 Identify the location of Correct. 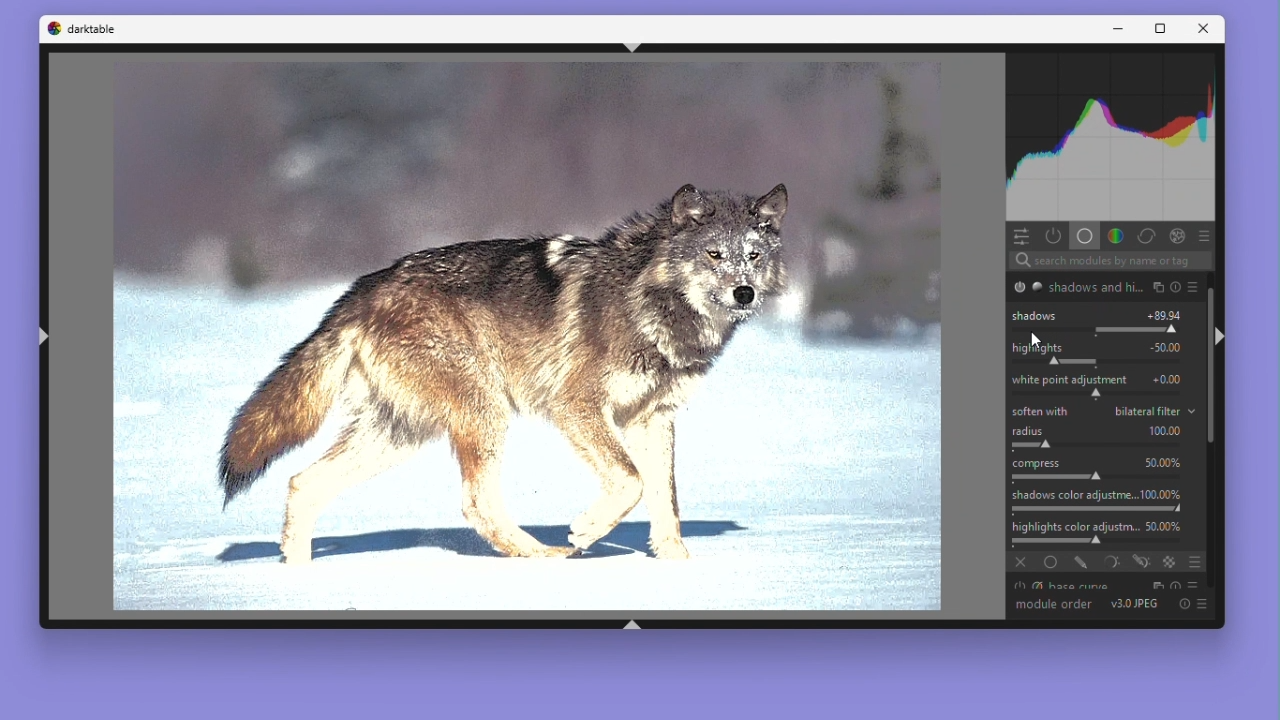
(1145, 236).